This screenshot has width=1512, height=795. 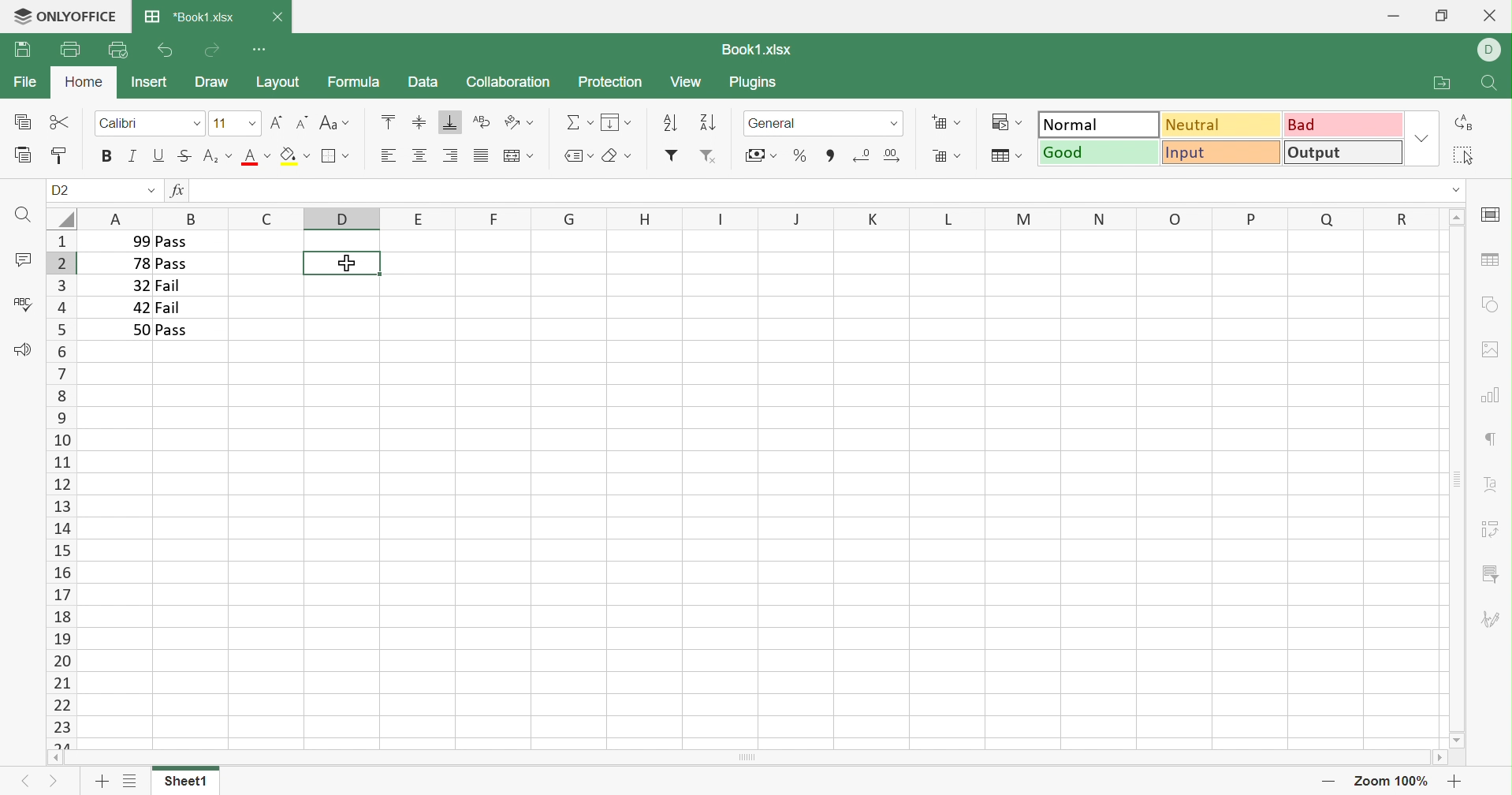 I want to click on Font color, so click(x=255, y=155).